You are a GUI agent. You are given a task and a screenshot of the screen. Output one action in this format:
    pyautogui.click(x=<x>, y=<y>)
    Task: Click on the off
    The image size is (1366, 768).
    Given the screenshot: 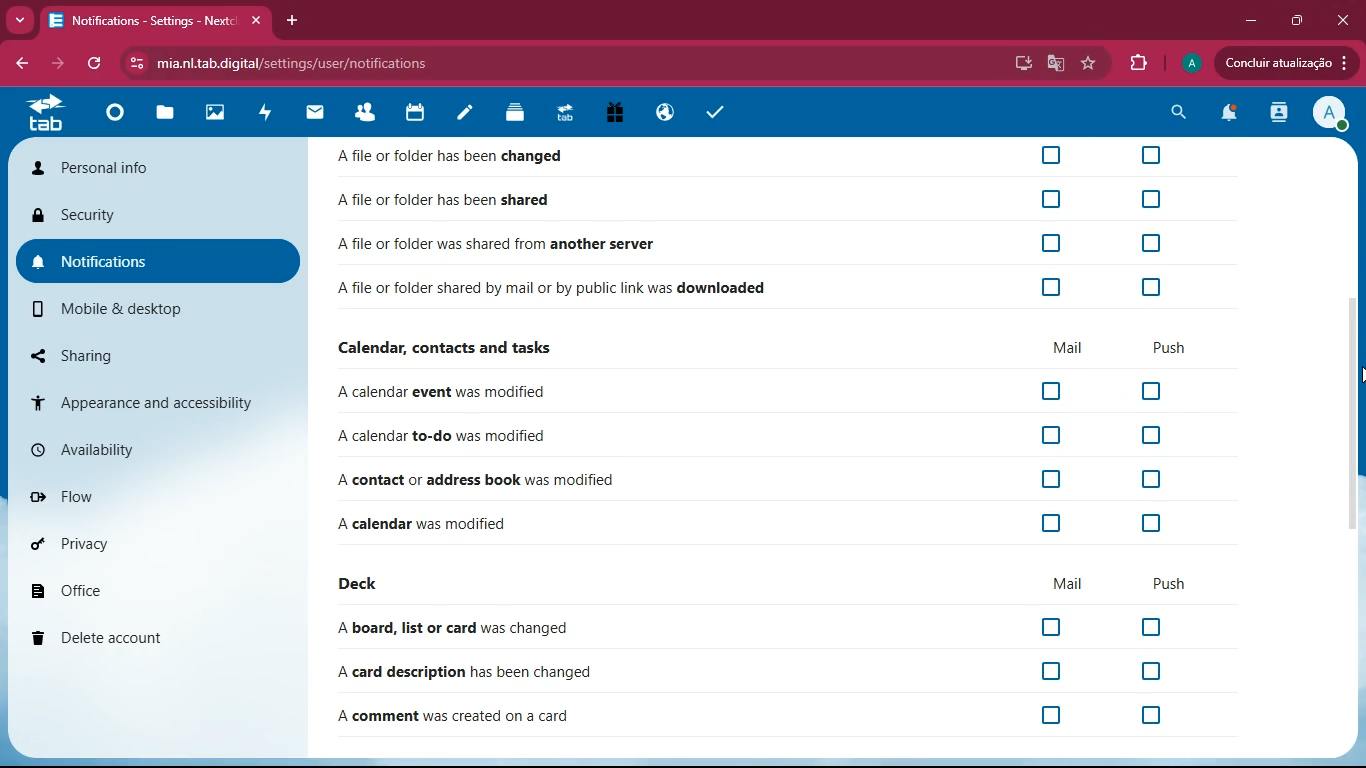 What is the action you would take?
    pyautogui.click(x=1050, y=437)
    